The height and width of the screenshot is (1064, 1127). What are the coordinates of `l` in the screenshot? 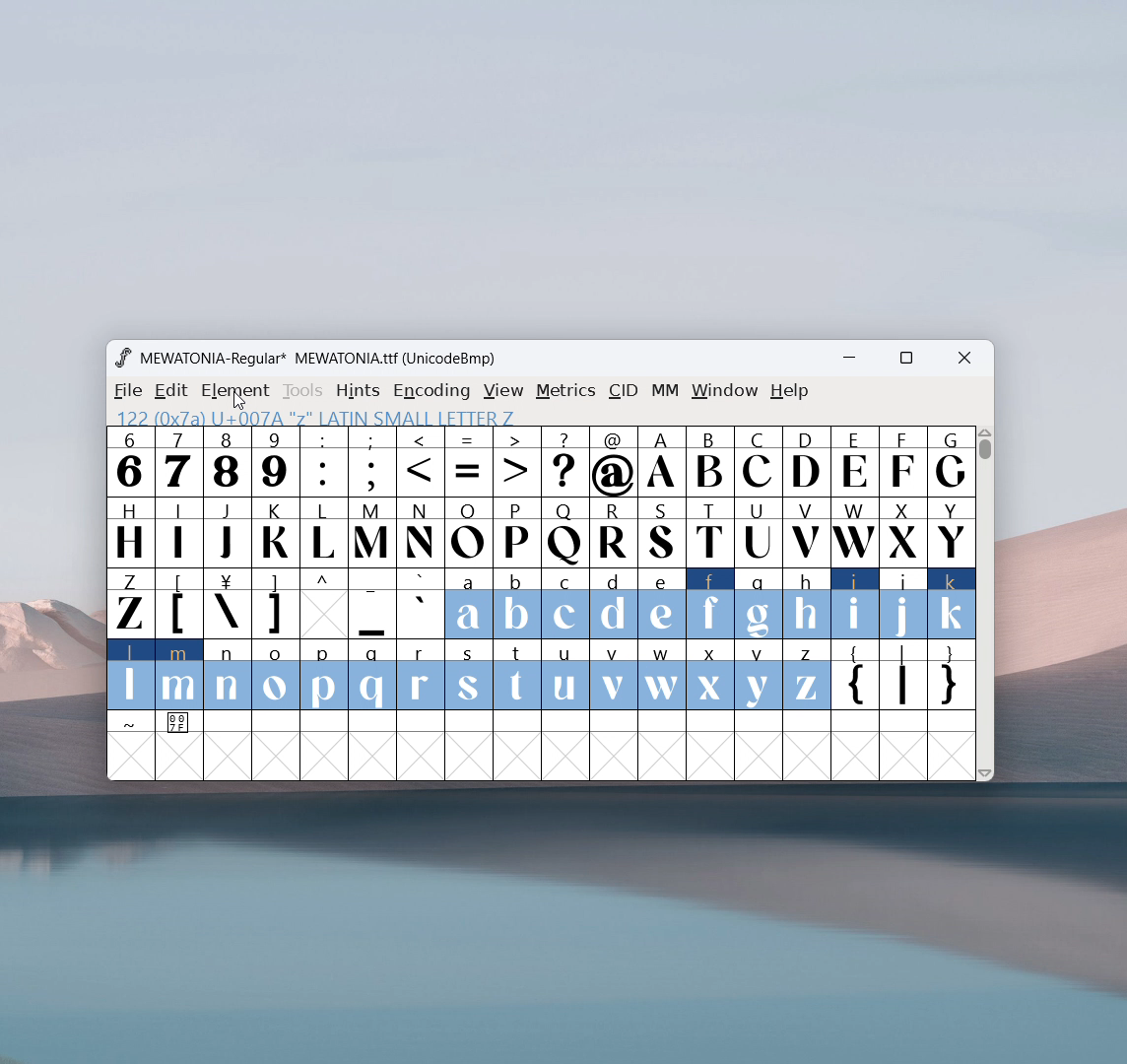 It's located at (131, 674).